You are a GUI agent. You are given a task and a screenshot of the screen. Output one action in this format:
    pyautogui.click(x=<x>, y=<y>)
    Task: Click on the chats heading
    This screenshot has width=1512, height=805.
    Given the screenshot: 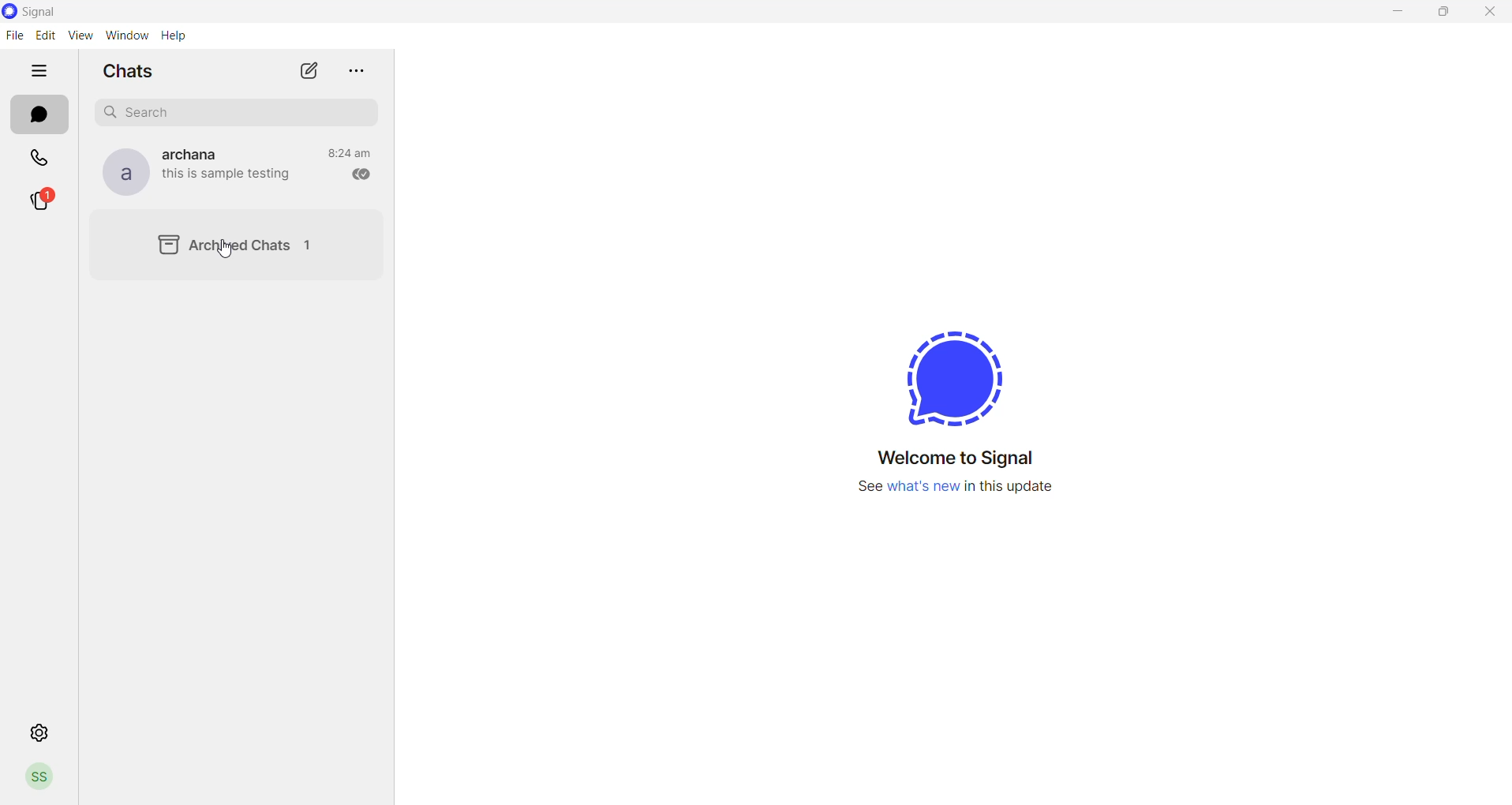 What is the action you would take?
    pyautogui.click(x=133, y=69)
    